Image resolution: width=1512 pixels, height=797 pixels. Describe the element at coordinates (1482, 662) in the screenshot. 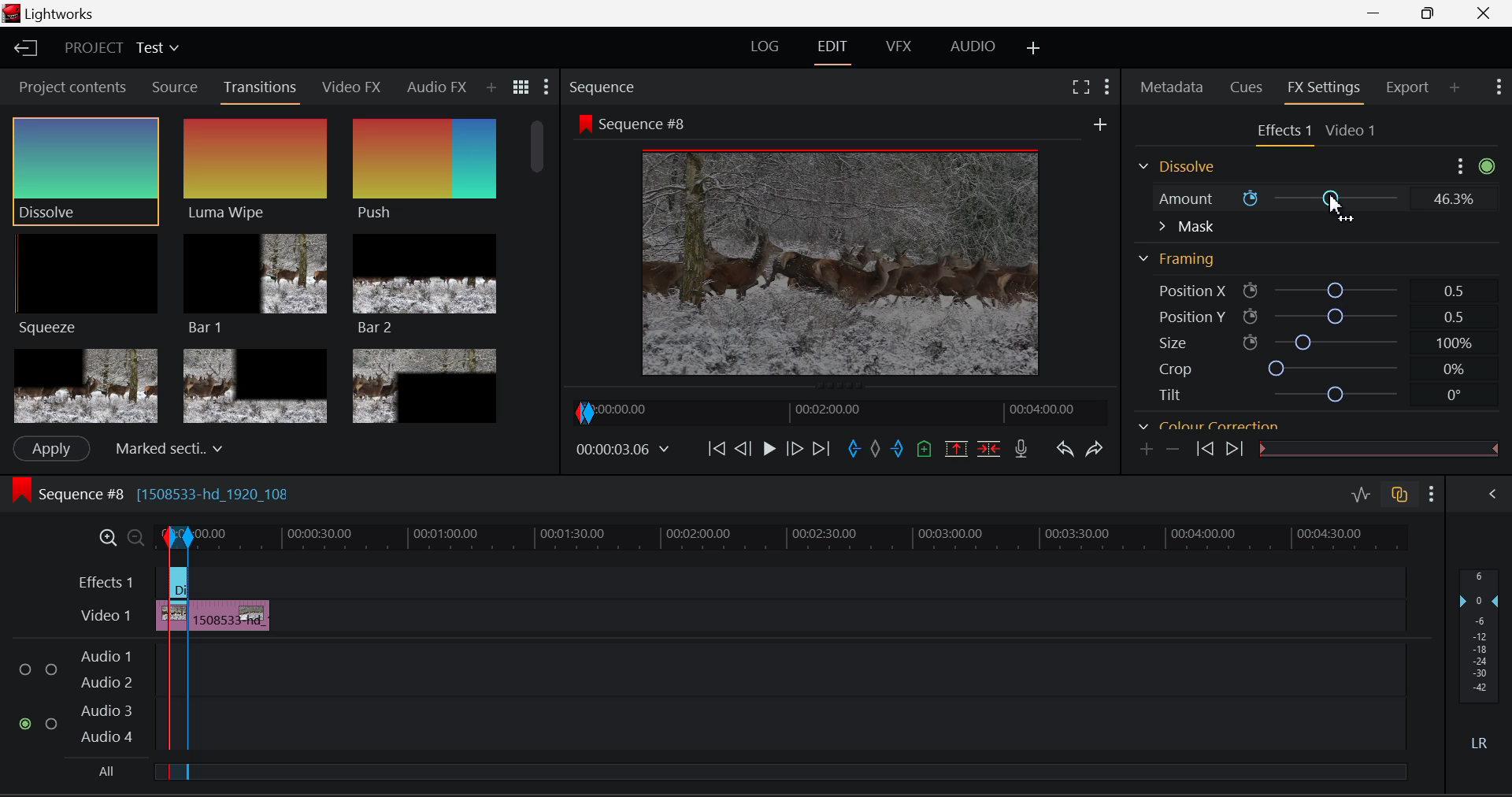

I see `Decibel Level` at that location.